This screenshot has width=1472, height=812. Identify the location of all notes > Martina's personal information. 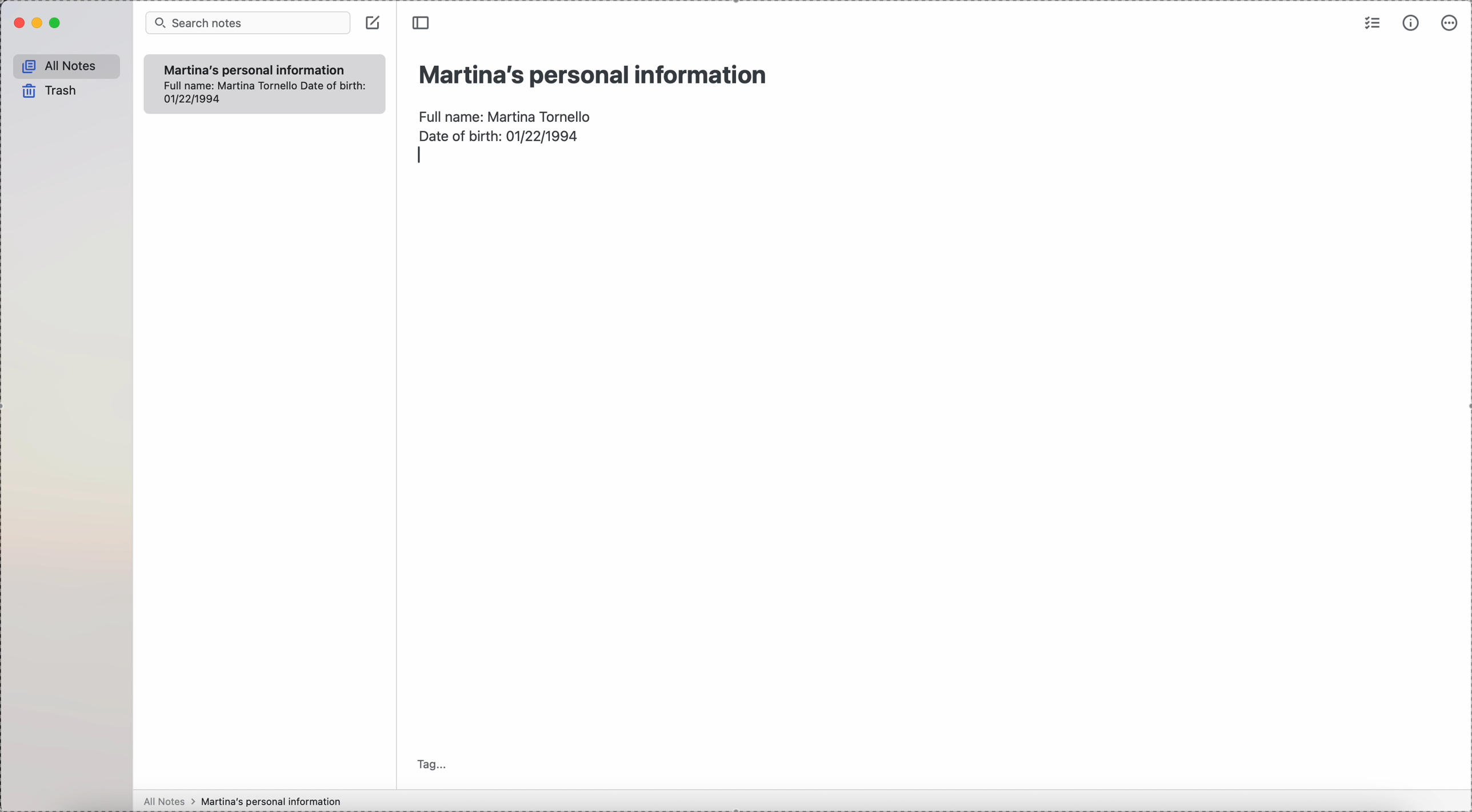
(241, 801).